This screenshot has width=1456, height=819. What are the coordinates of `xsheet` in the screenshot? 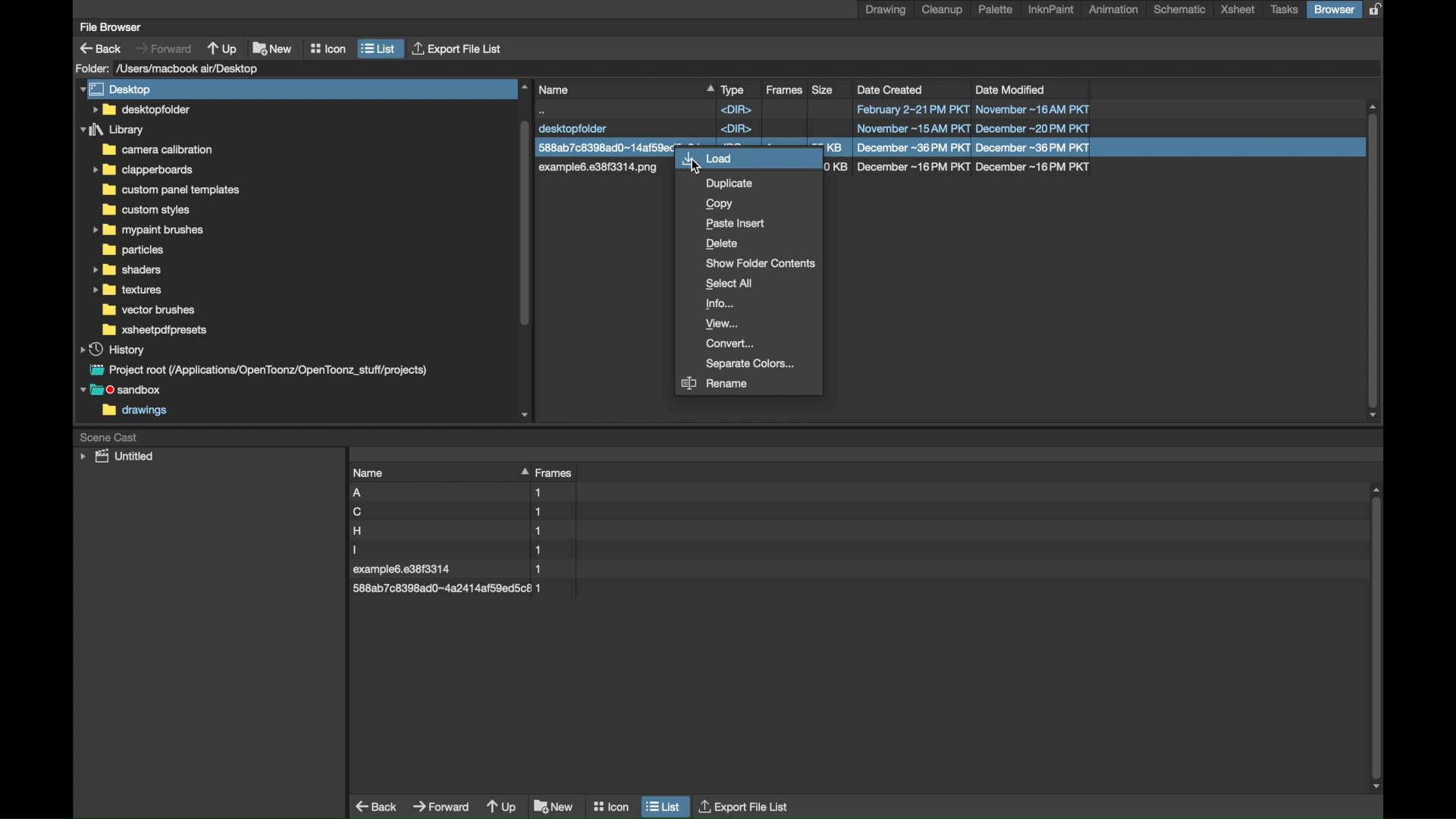 It's located at (1238, 10).